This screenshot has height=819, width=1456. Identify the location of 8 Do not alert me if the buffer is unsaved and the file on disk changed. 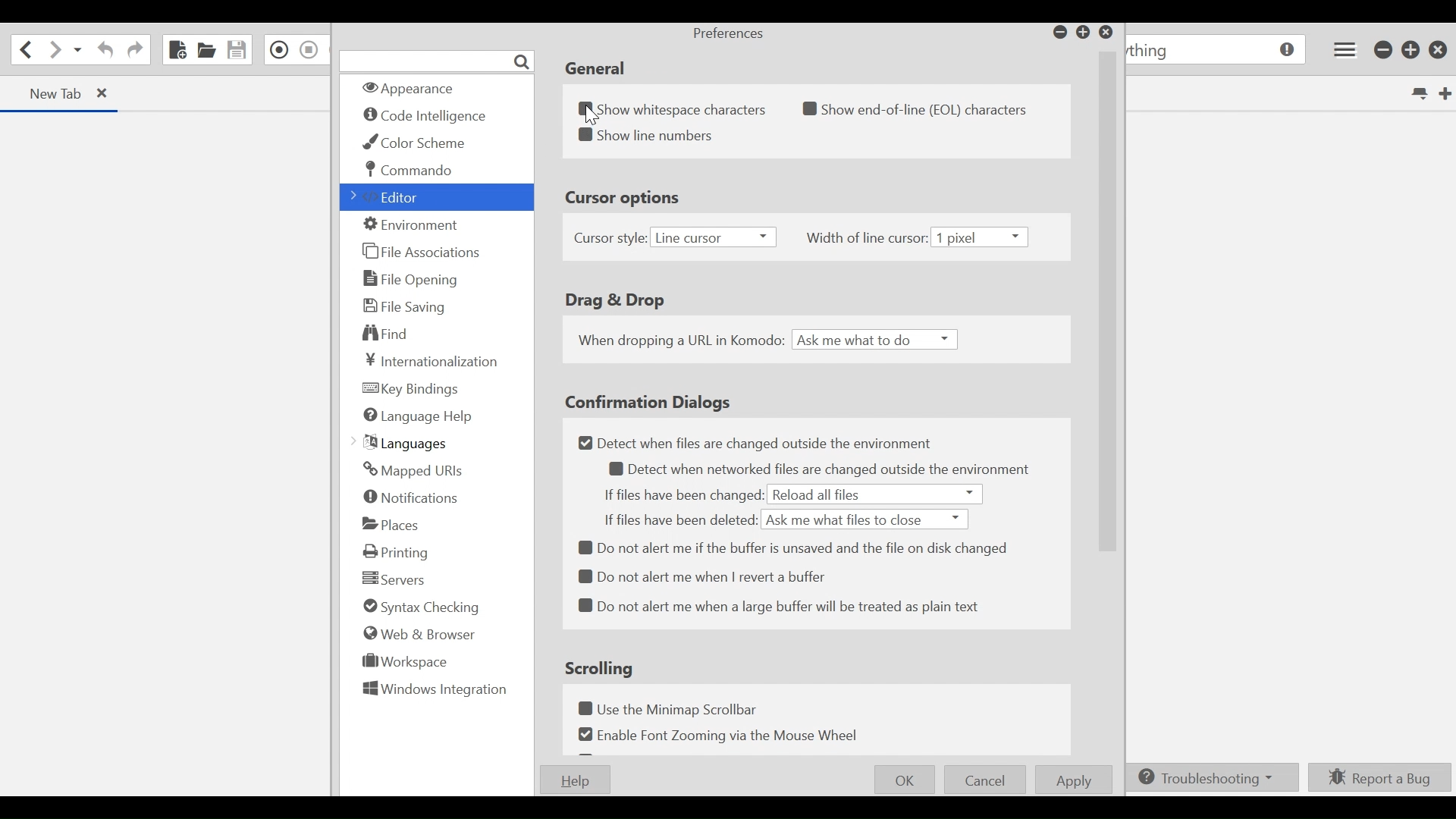
(795, 545).